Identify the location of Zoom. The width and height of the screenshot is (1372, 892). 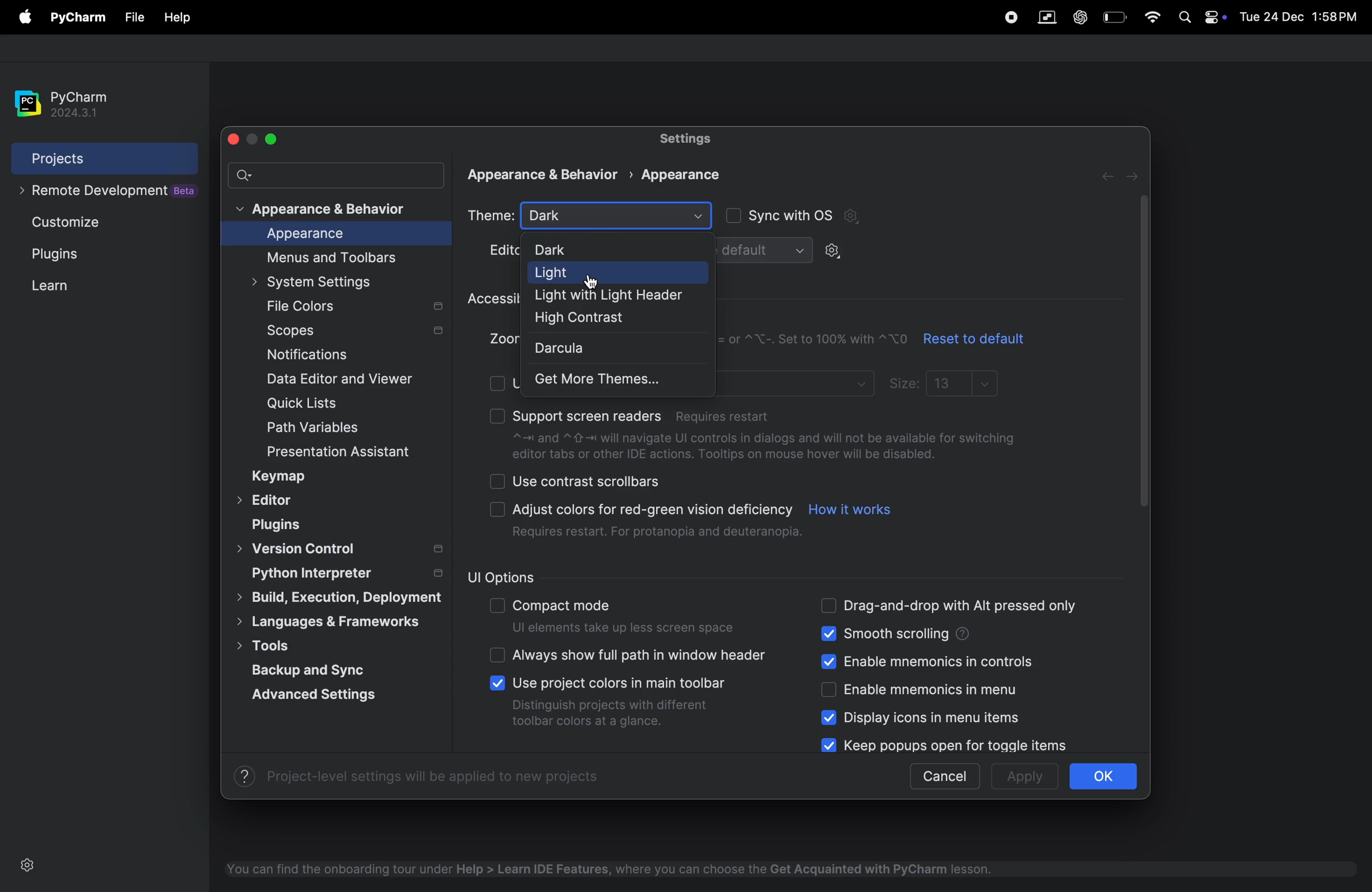
(497, 338).